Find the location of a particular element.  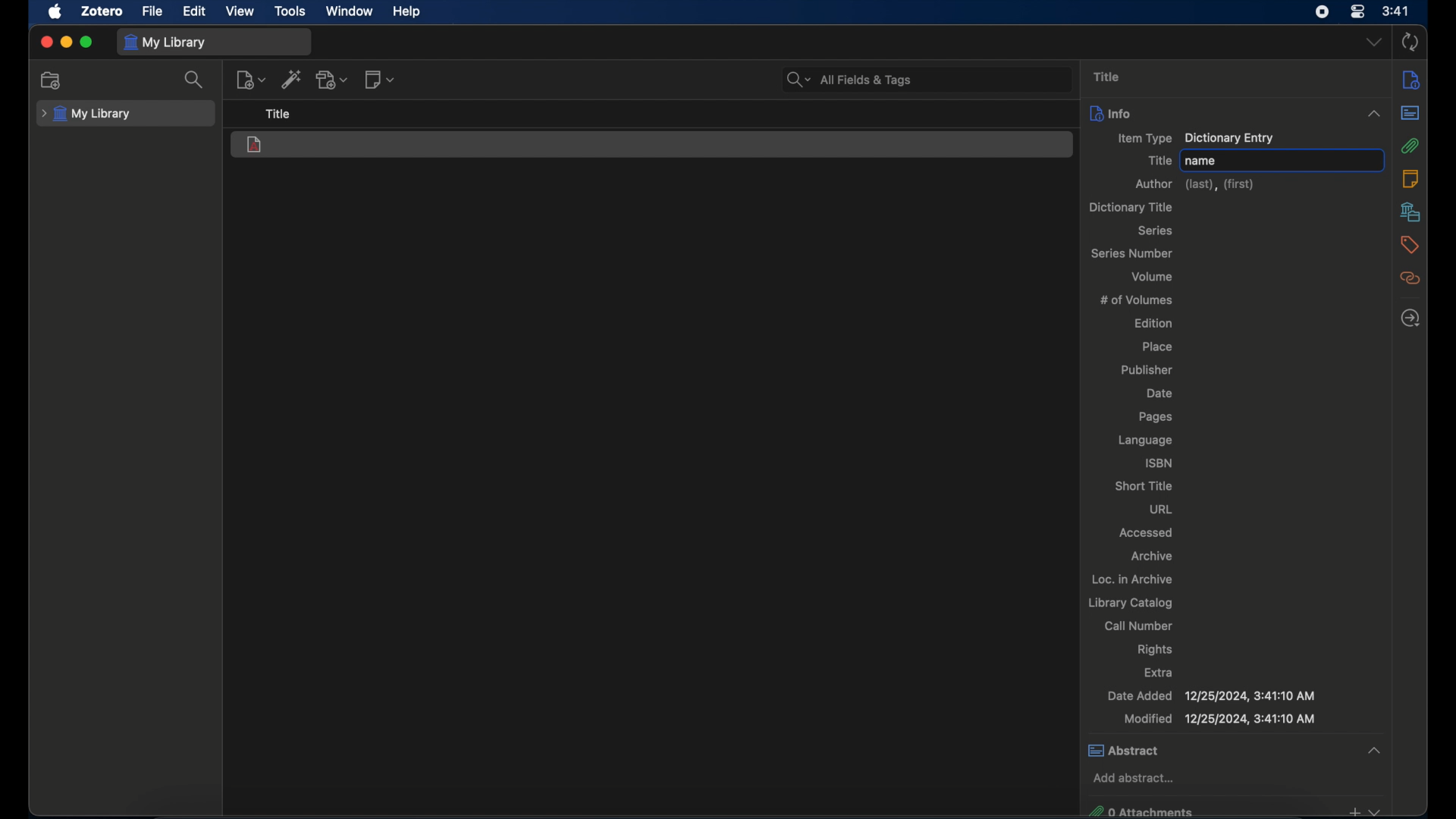

new notes is located at coordinates (381, 79).